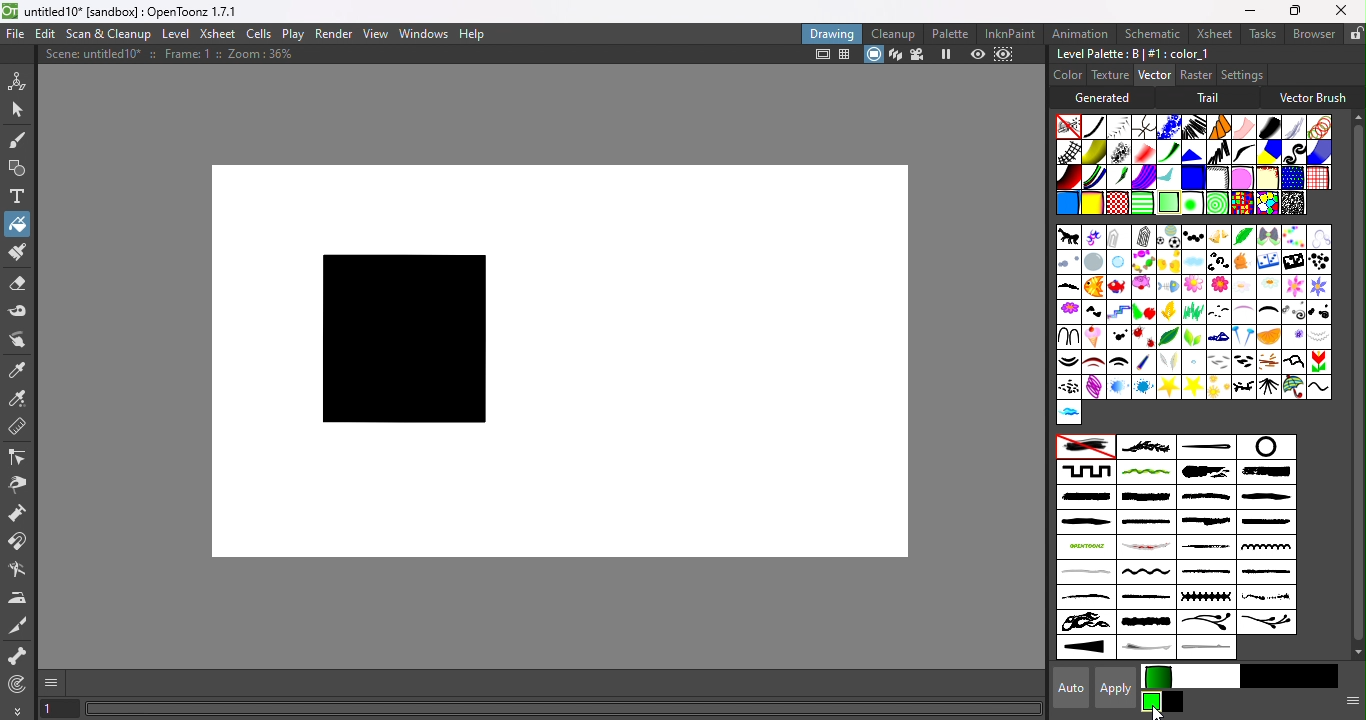  What do you see at coordinates (217, 33) in the screenshot?
I see `Xsheet` at bounding box center [217, 33].